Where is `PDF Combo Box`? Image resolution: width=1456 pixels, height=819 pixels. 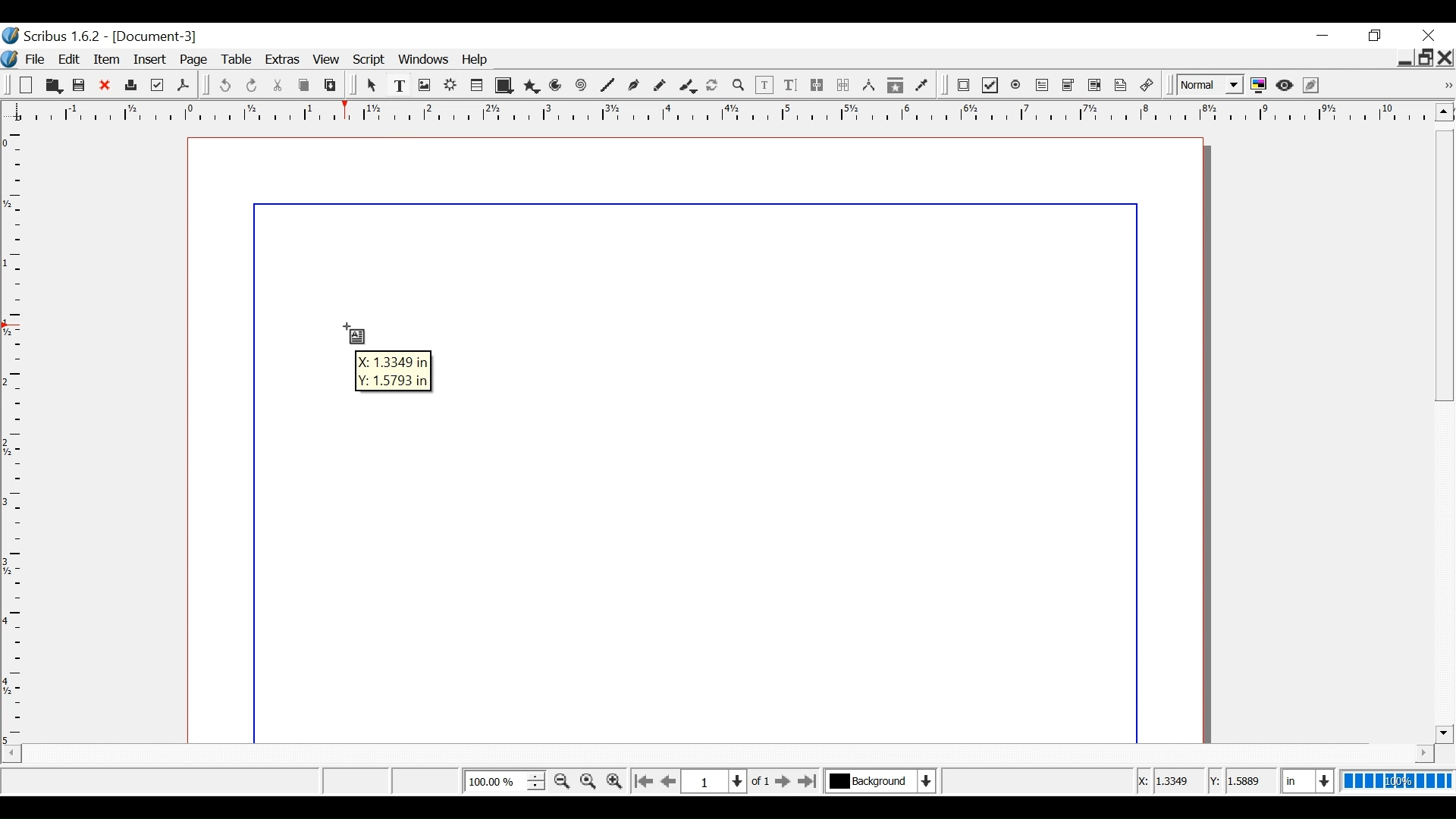 PDF Combo Box is located at coordinates (1070, 86).